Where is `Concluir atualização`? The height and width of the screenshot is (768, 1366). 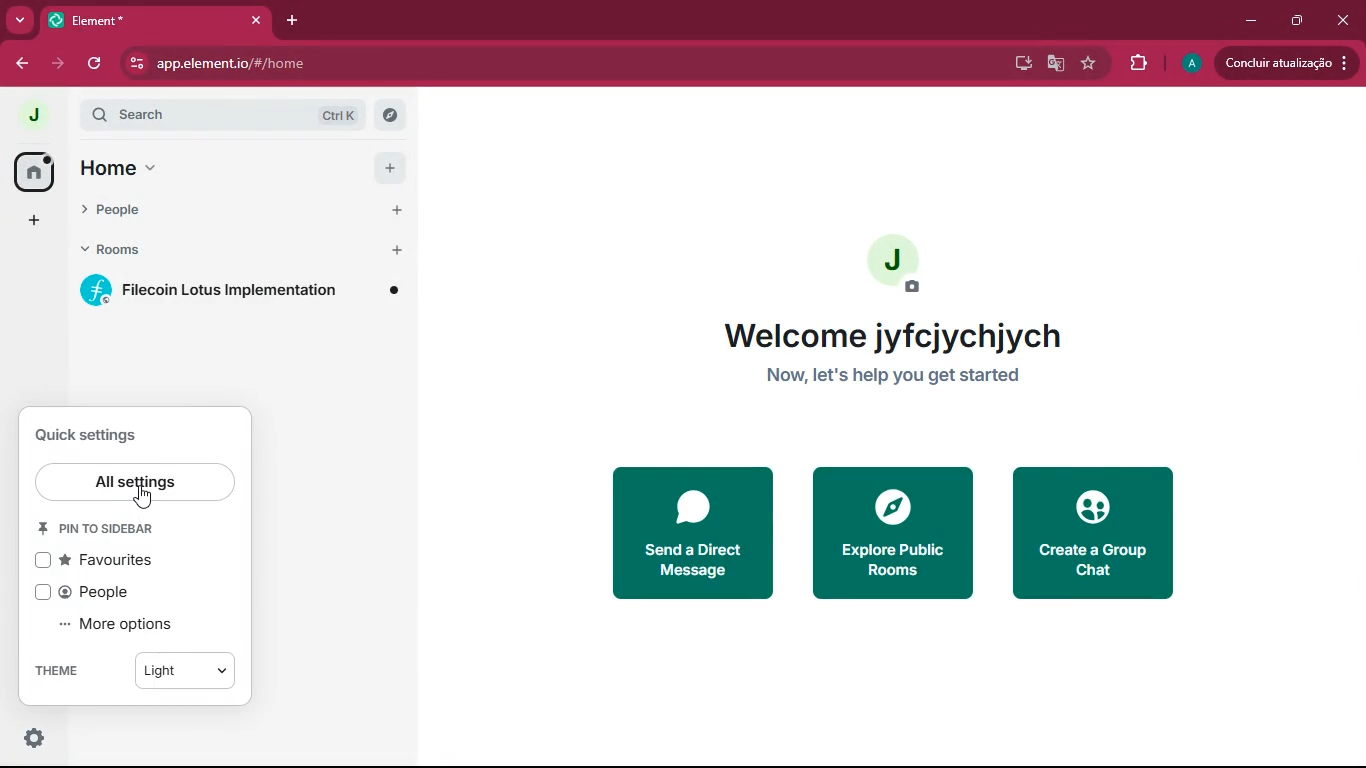 Concluir atualização is located at coordinates (1291, 63).